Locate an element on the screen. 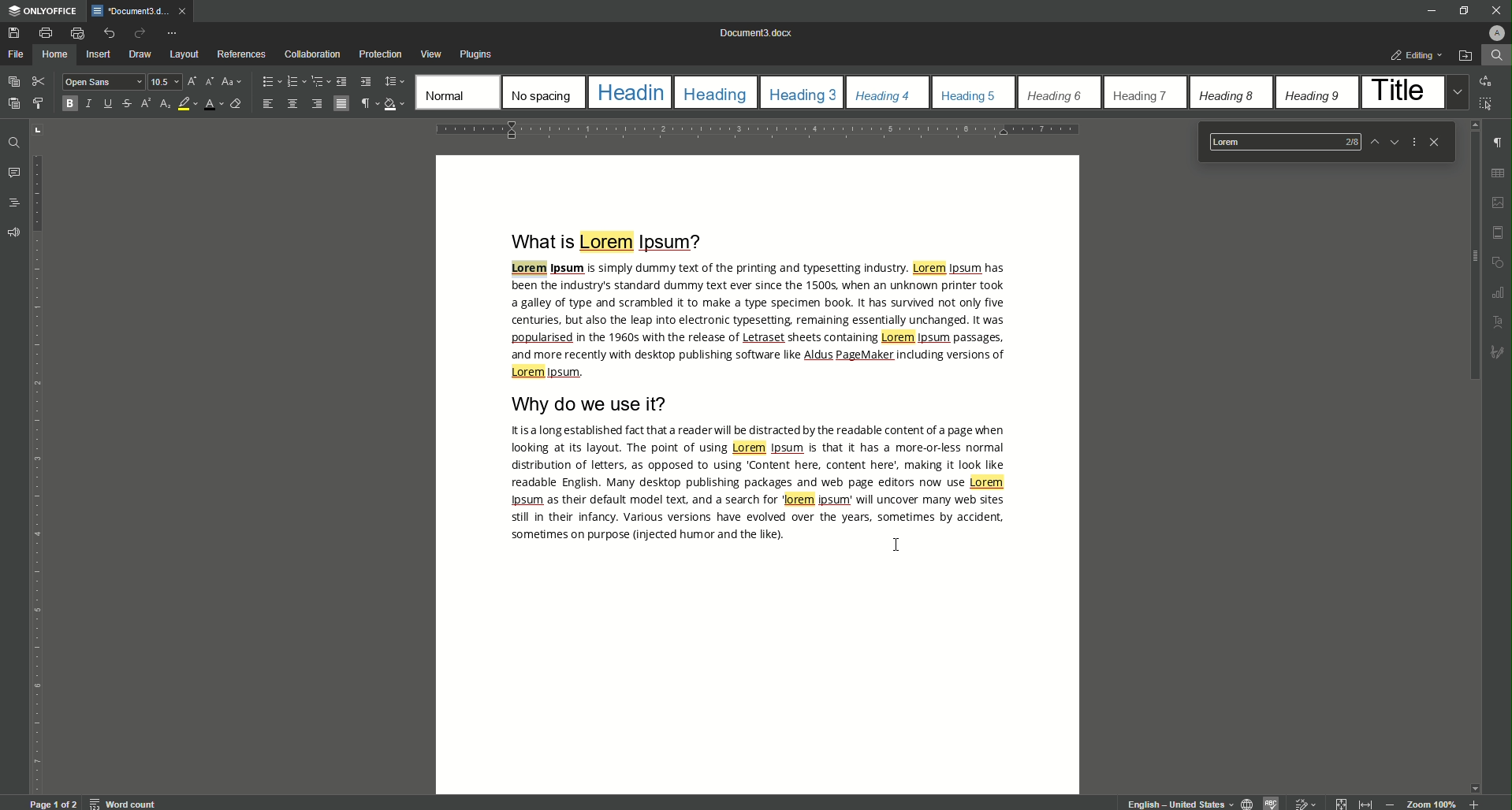 The height and width of the screenshot is (810, 1512). Strikethrough is located at coordinates (125, 104).